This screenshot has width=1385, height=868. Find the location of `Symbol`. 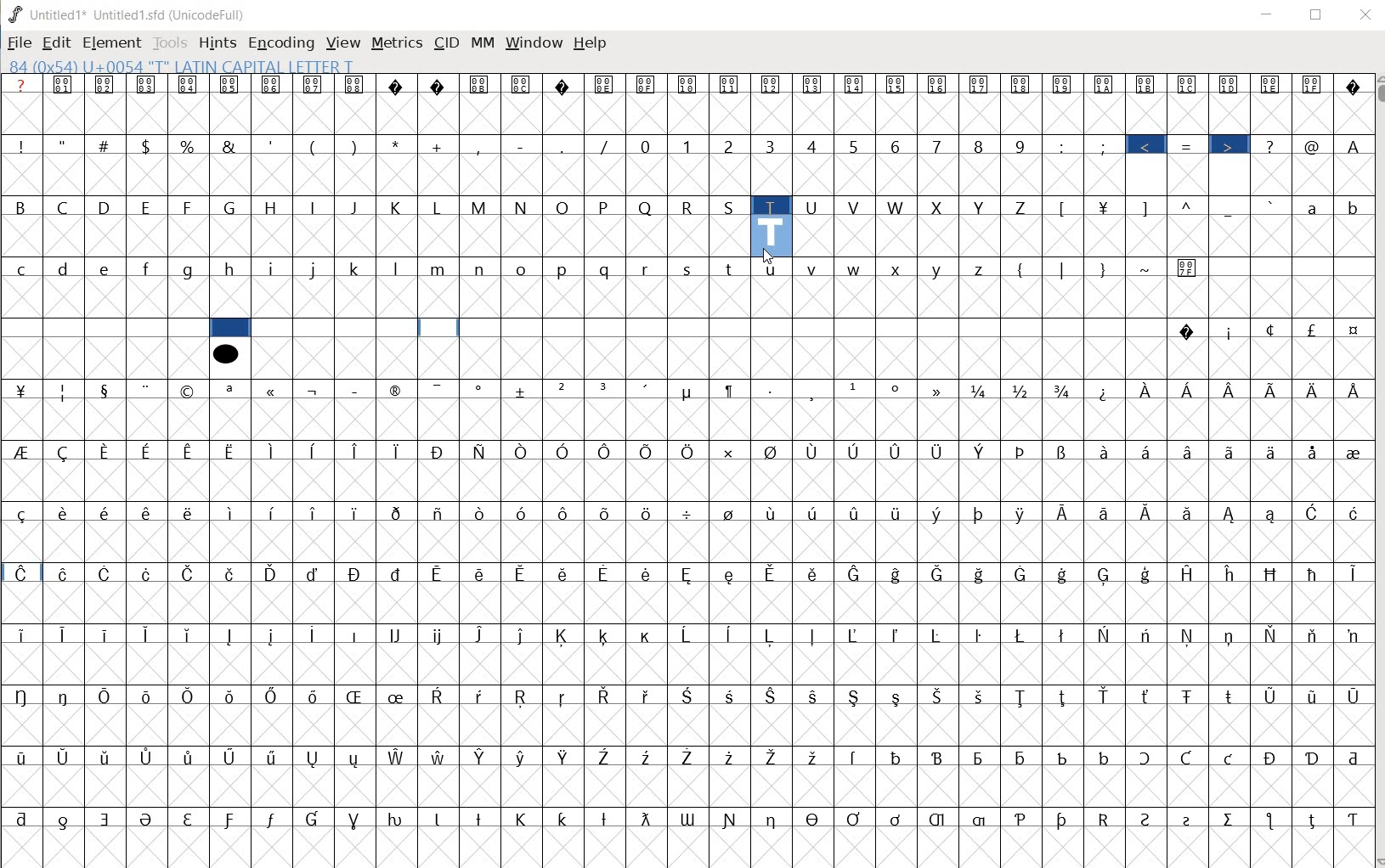

Symbol is located at coordinates (149, 390).